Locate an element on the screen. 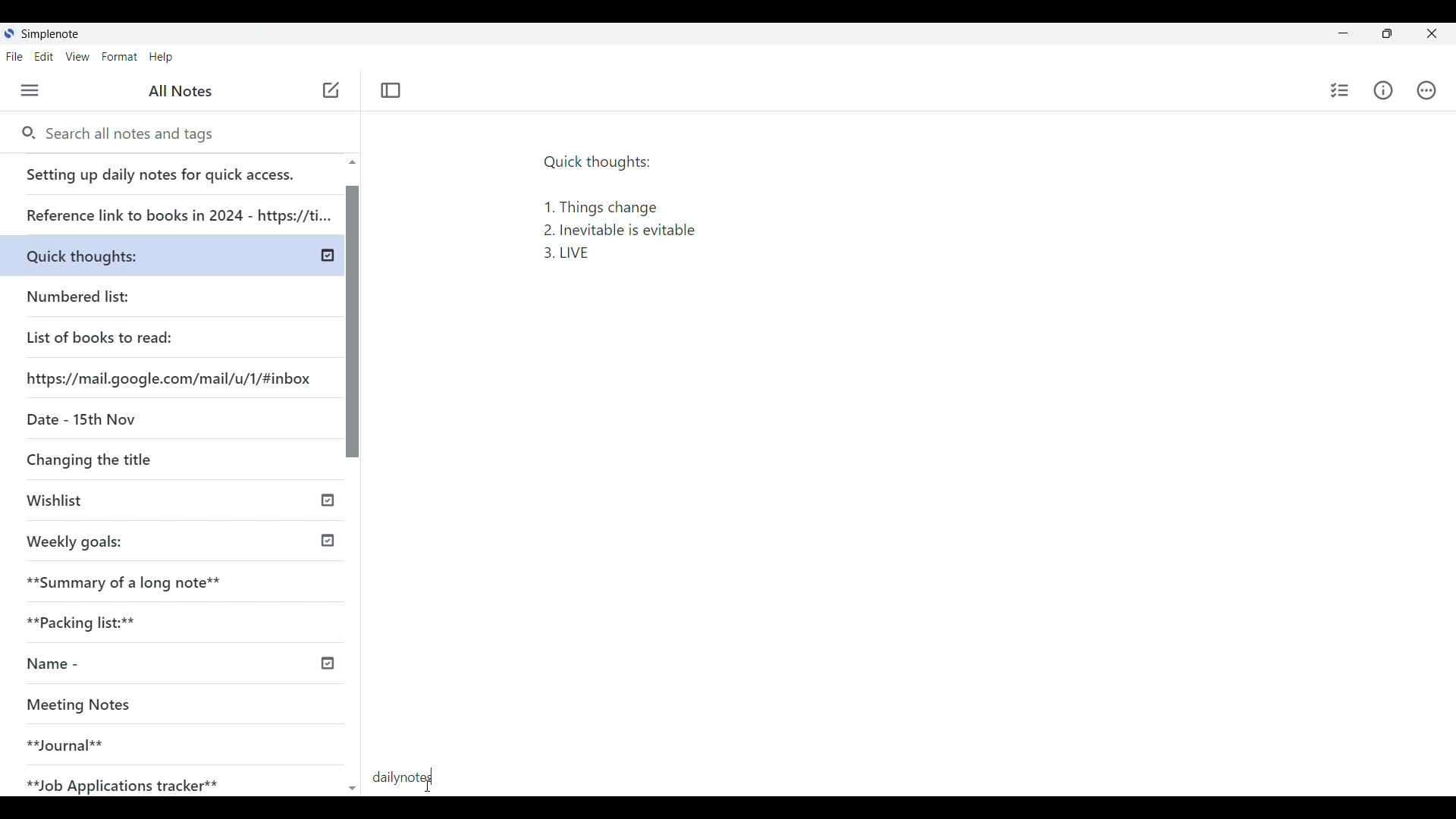 The width and height of the screenshot is (1456, 819). Date is located at coordinates (78, 418).